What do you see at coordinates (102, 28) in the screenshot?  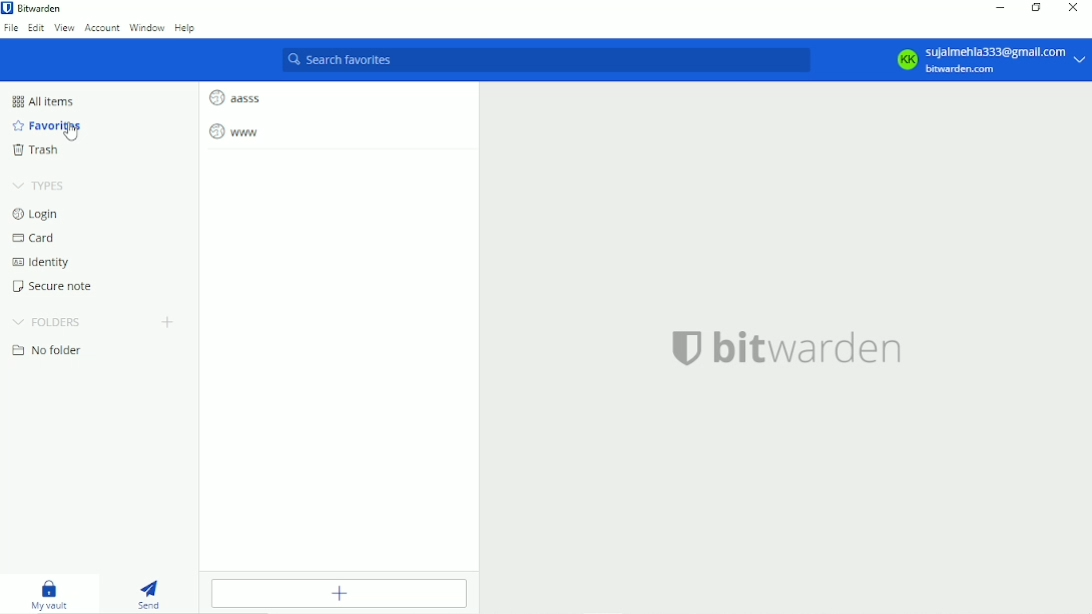 I see `Account` at bounding box center [102, 28].